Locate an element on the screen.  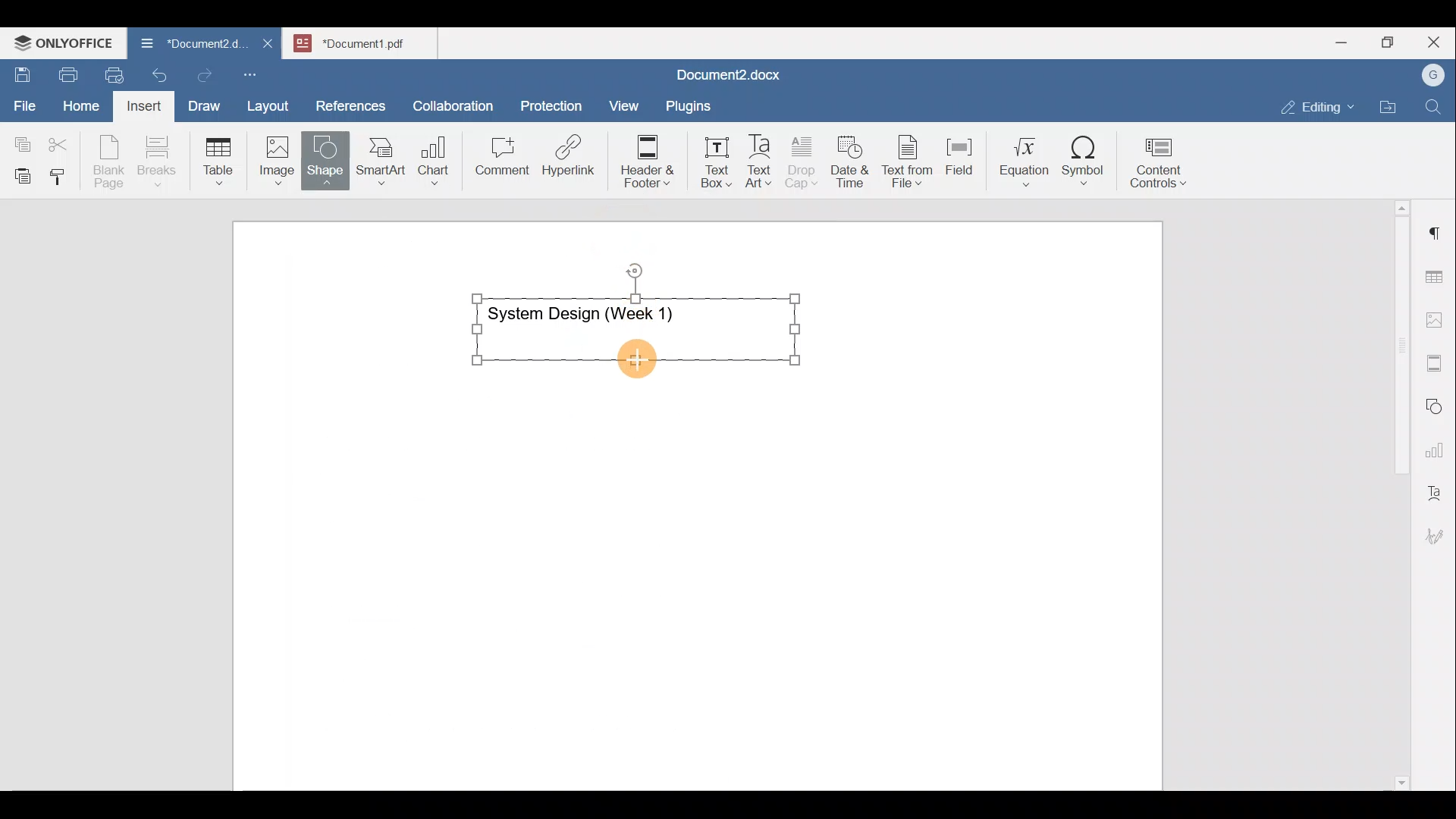
Collaboration is located at coordinates (450, 98).